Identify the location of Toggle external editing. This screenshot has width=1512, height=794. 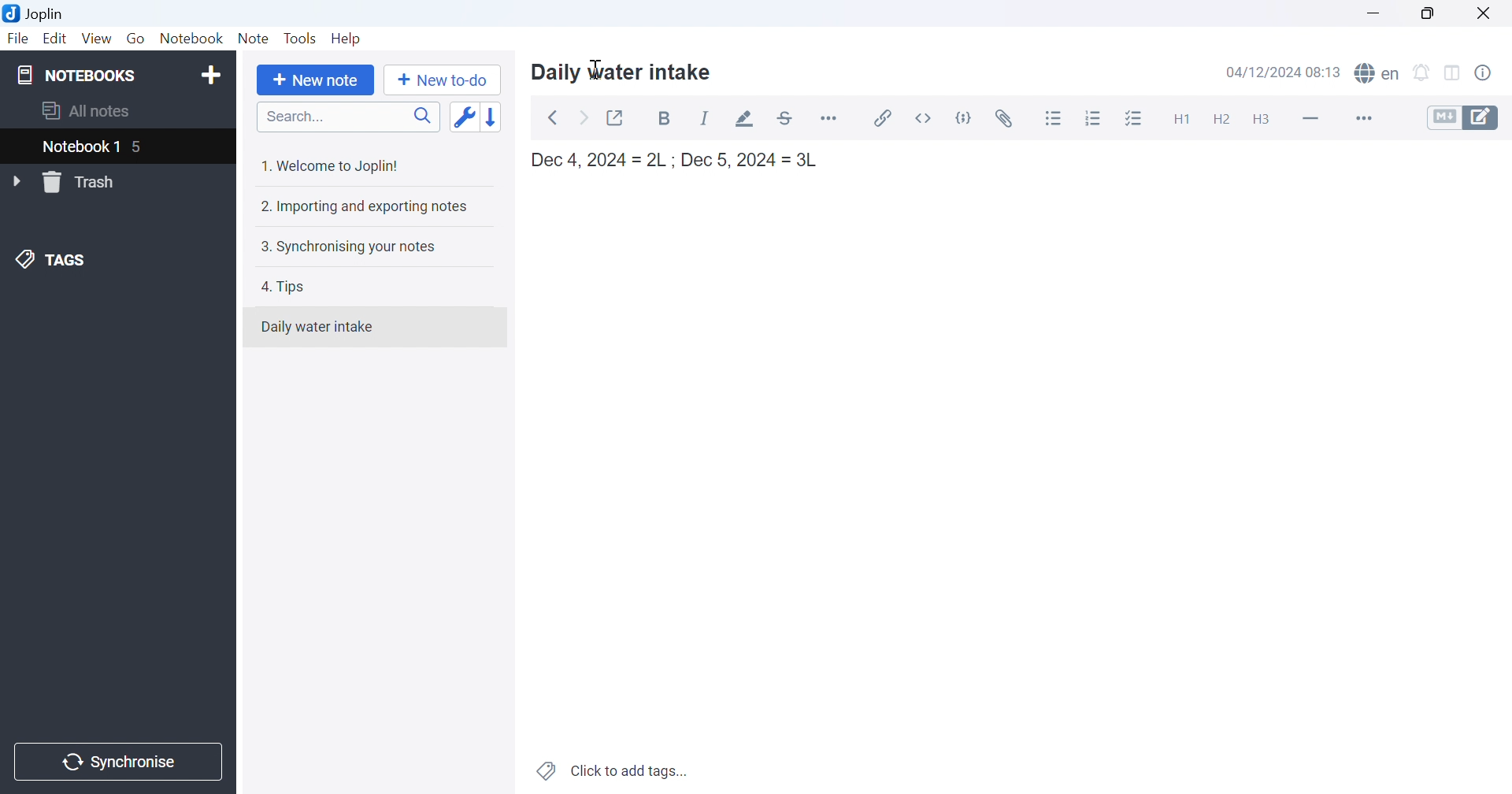
(618, 117).